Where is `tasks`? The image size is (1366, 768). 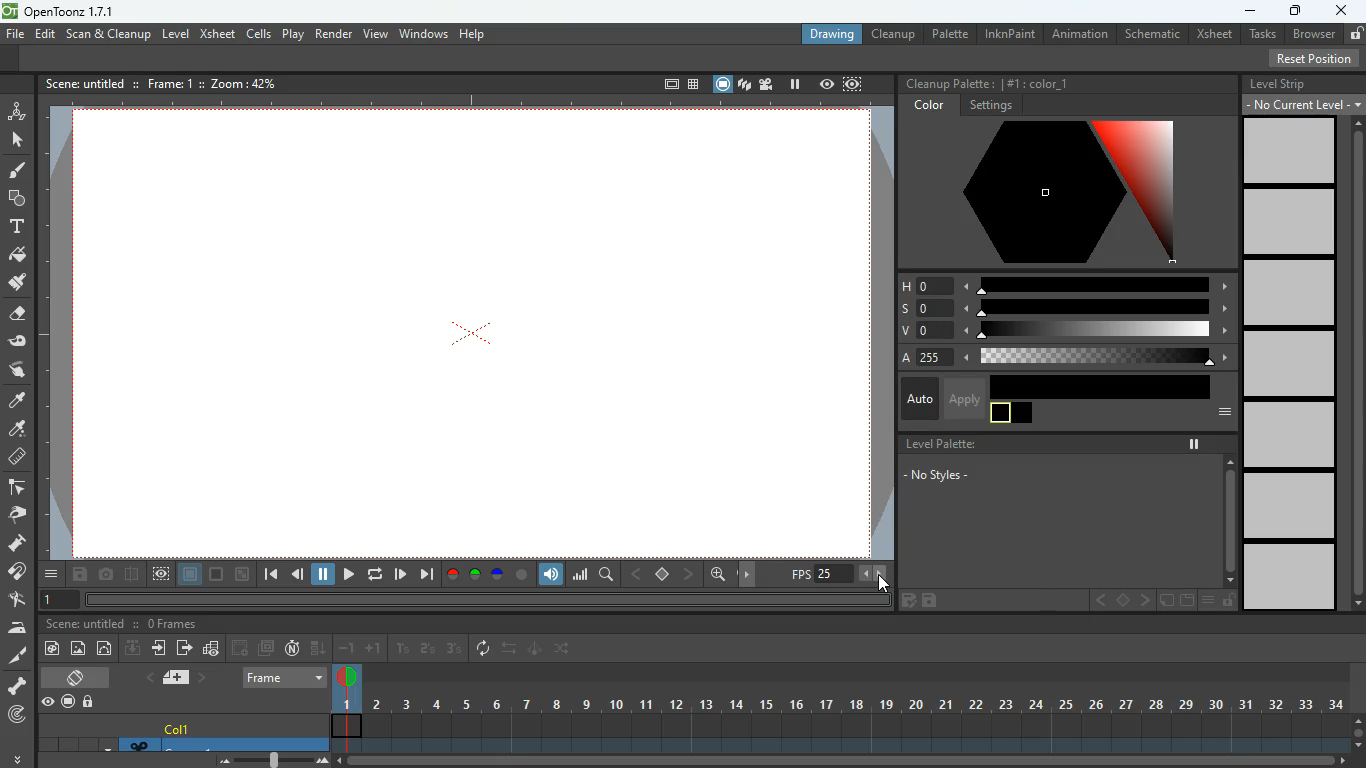
tasks is located at coordinates (1264, 33).